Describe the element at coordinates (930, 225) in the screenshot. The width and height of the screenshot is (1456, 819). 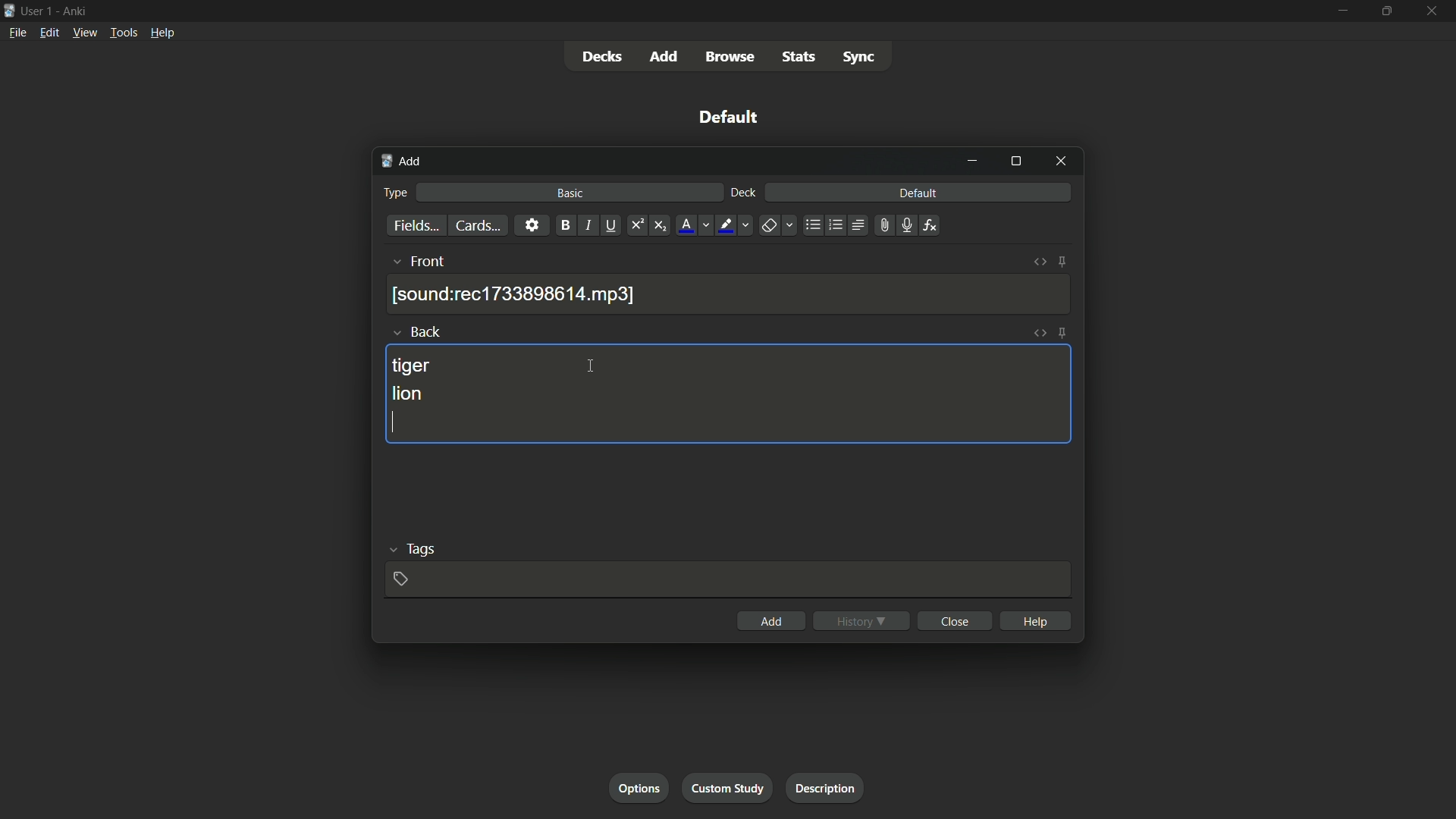
I see `equations` at that location.